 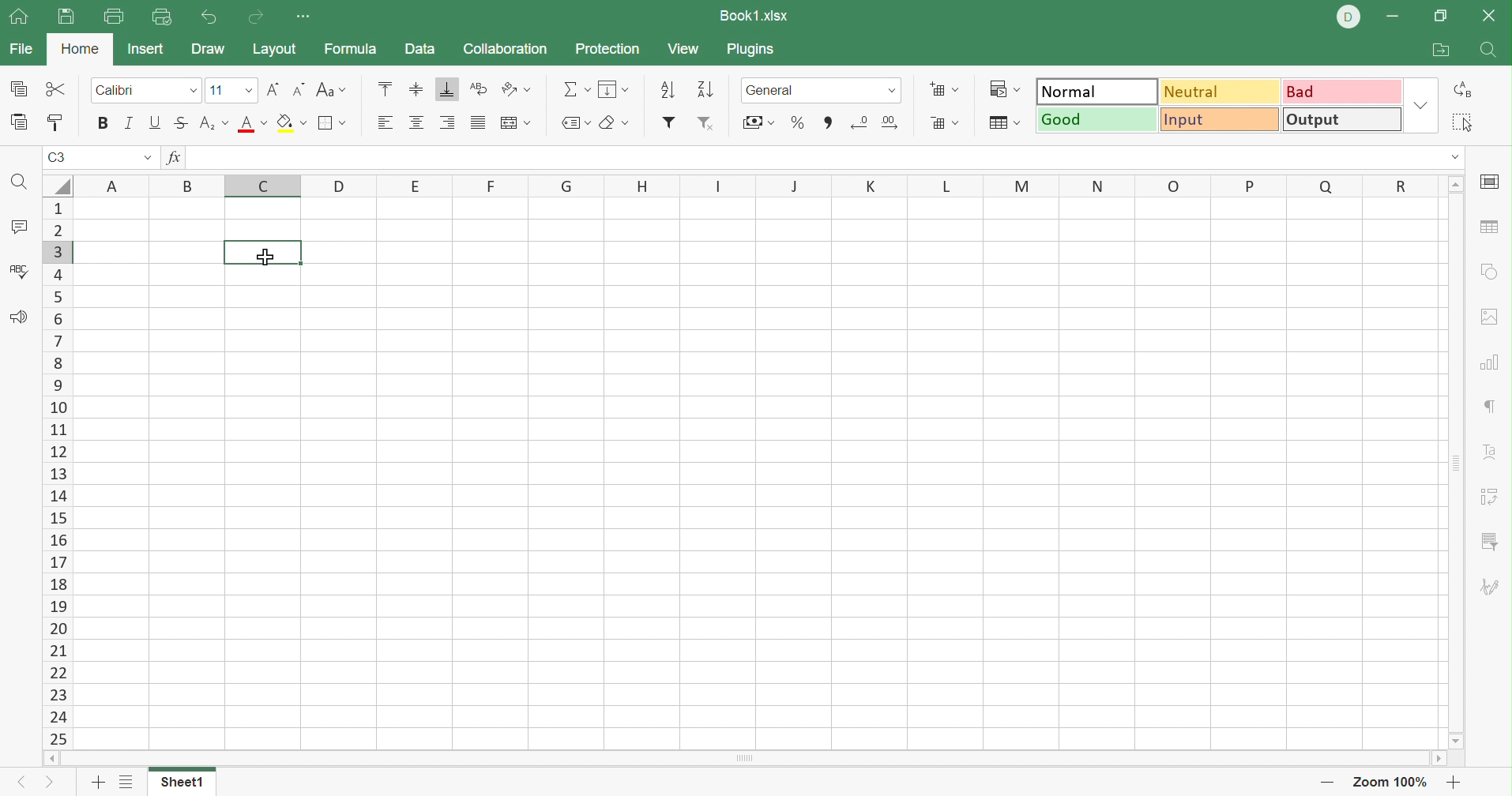 I want to click on Text art settings, so click(x=1488, y=451).